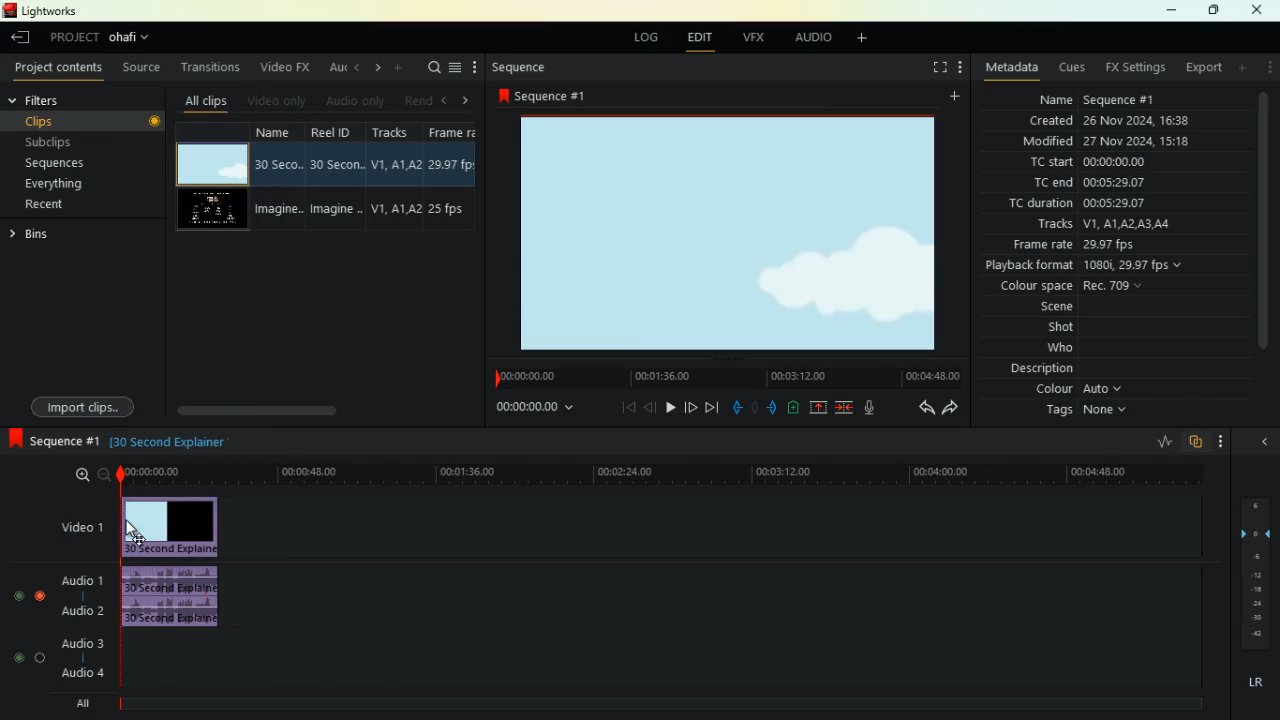 This screenshot has width=1280, height=720. Describe the element at coordinates (691, 409) in the screenshot. I see `forward` at that location.